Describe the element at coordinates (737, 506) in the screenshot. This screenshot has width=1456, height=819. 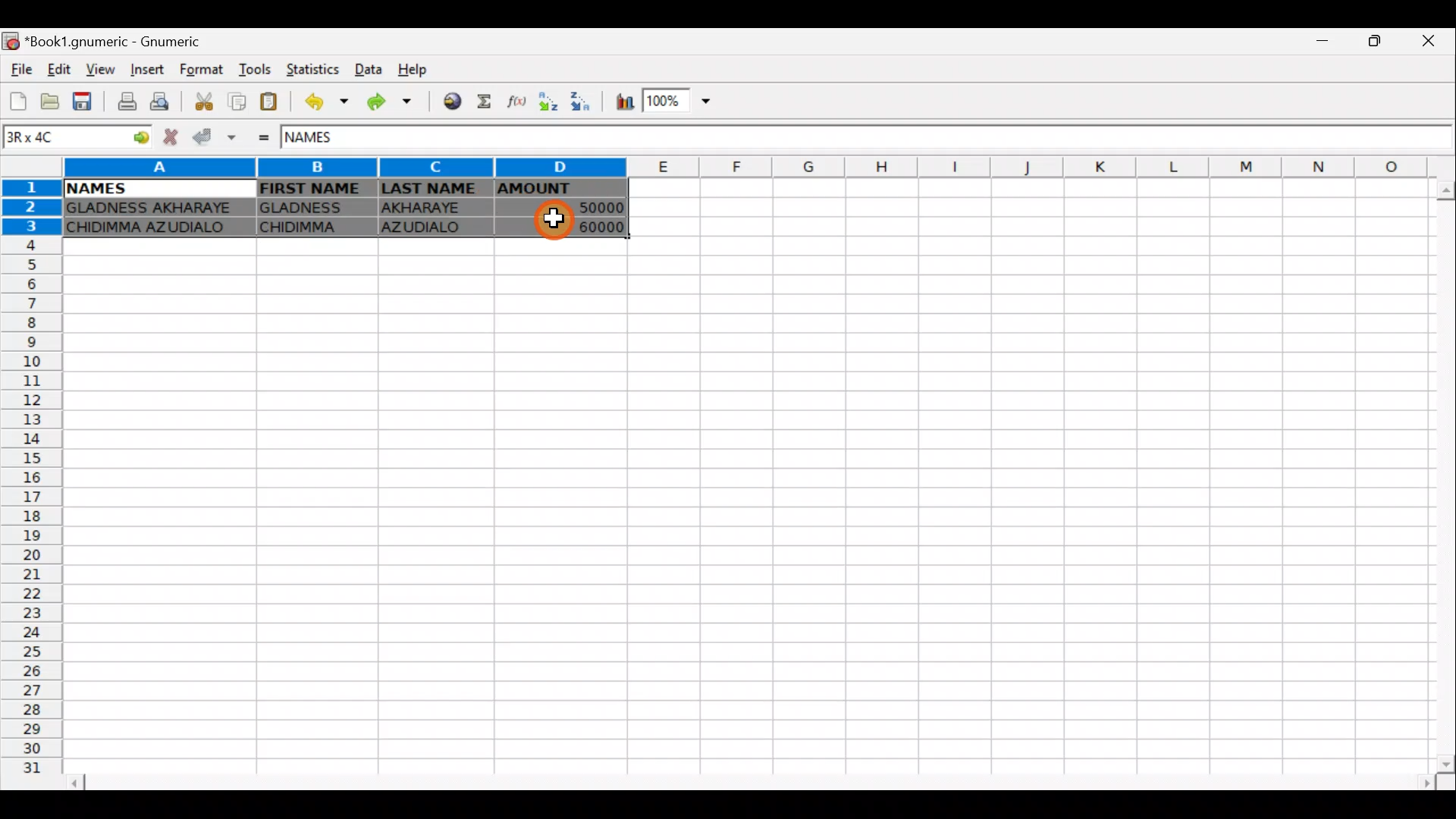
I see `Cells` at that location.